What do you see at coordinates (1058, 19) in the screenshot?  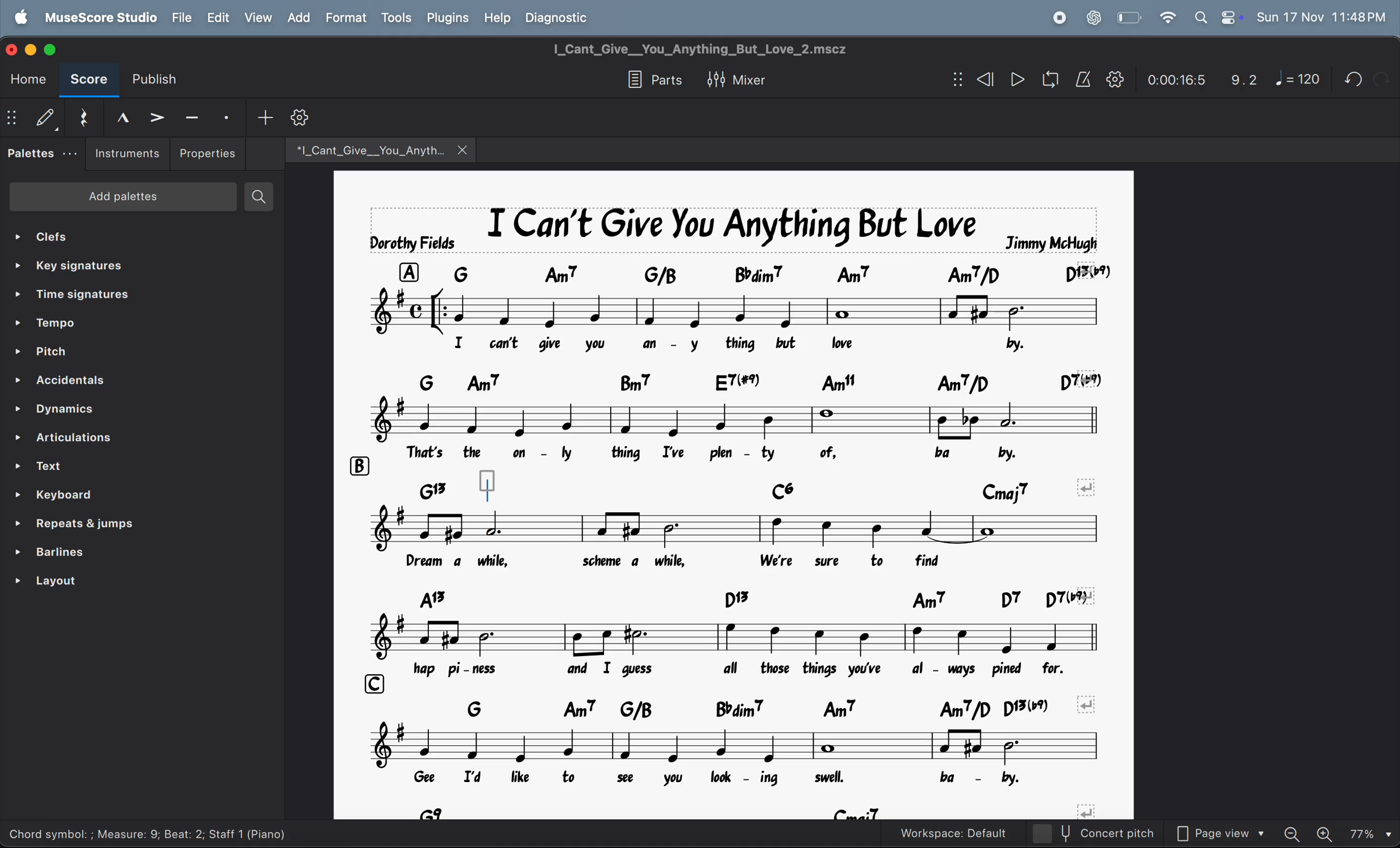 I see `record` at bounding box center [1058, 19].